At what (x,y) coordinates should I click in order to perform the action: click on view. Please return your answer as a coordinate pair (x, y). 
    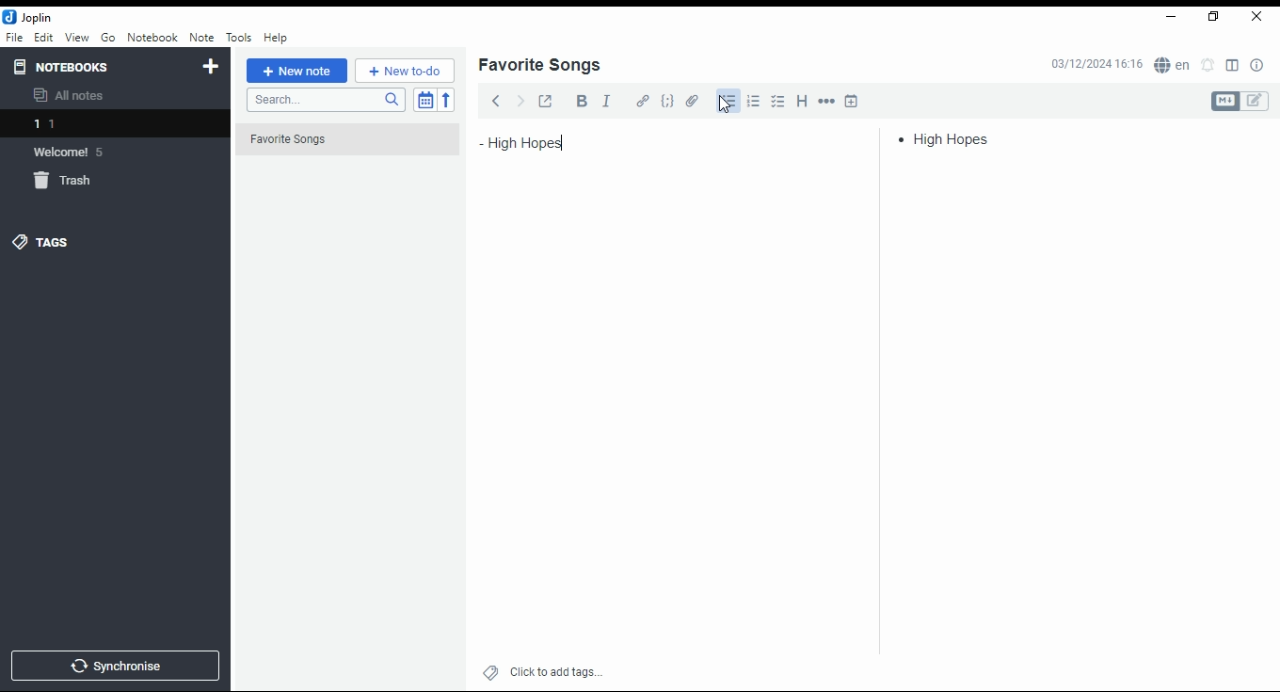
    Looking at the image, I should click on (77, 38).